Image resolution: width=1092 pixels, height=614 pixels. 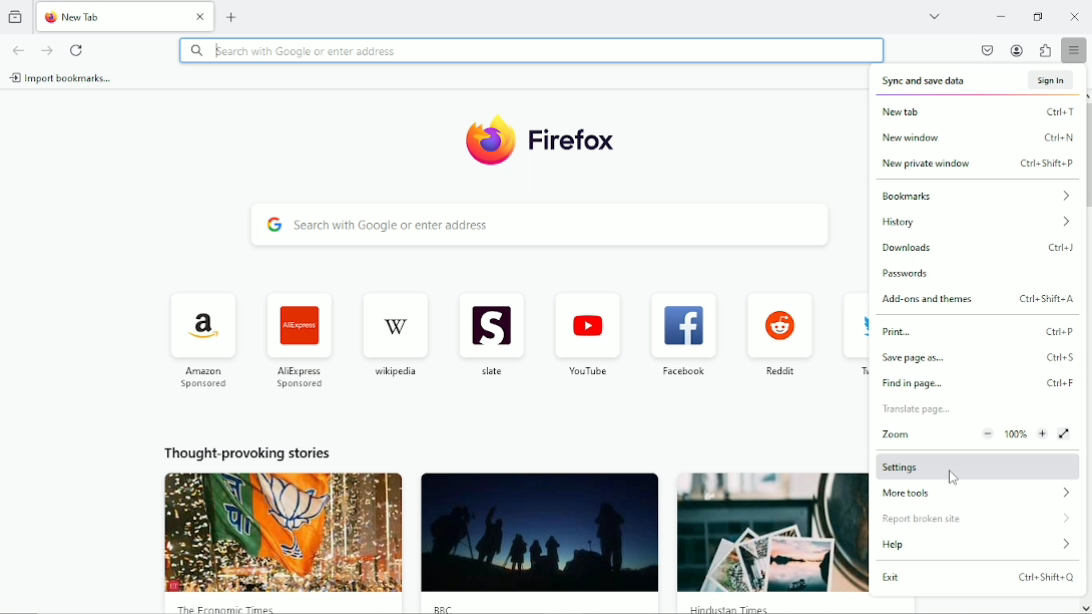 What do you see at coordinates (978, 358) in the screenshot?
I see `Save page as...  Ctrl+S` at bounding box center [978, 358].